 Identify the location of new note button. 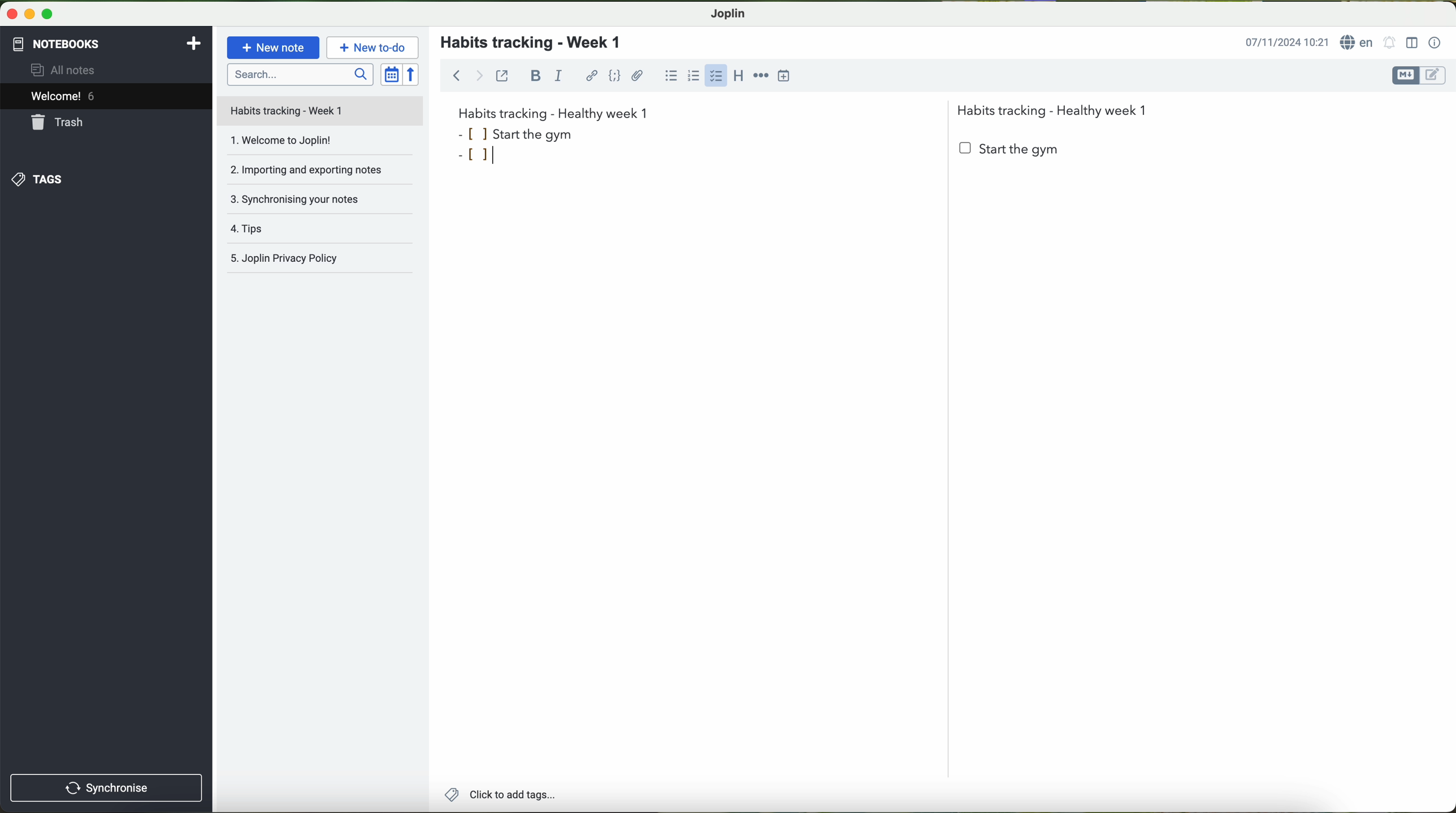
(274, 47).